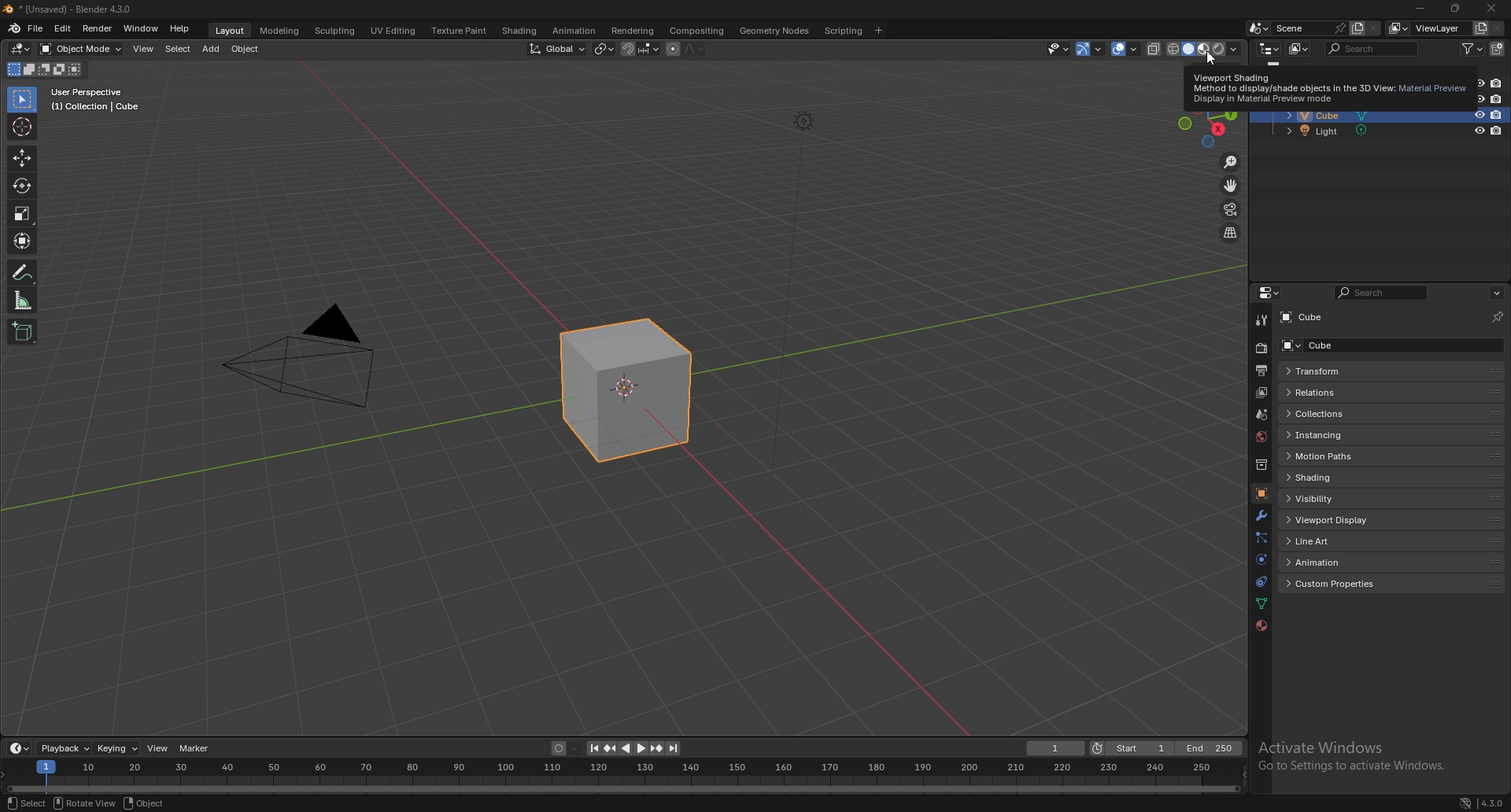  Describe the element at coordinates (1357, 28) in the screenshot. I see `add scene` at that location.